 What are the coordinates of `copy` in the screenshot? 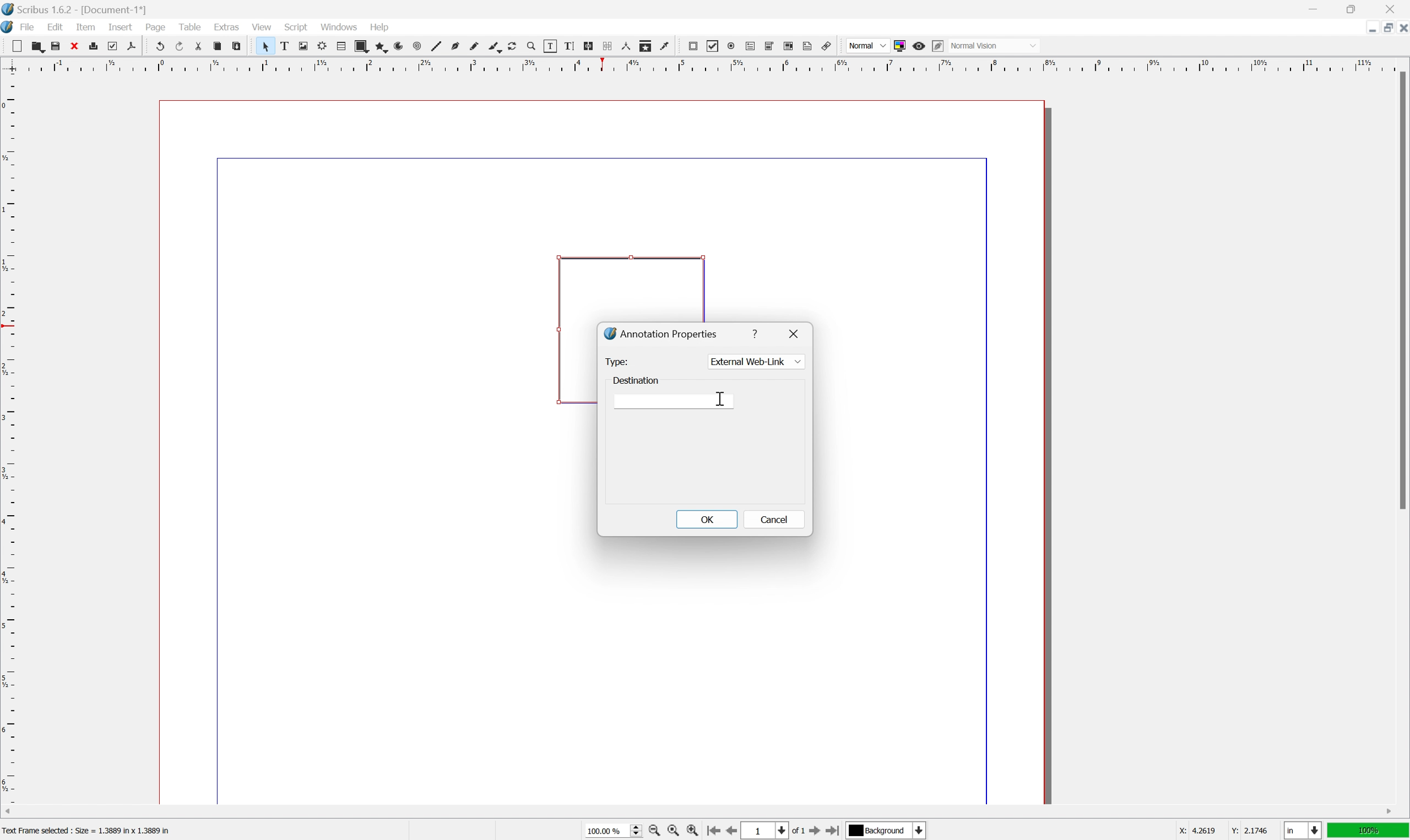 It's located at (217, 46).